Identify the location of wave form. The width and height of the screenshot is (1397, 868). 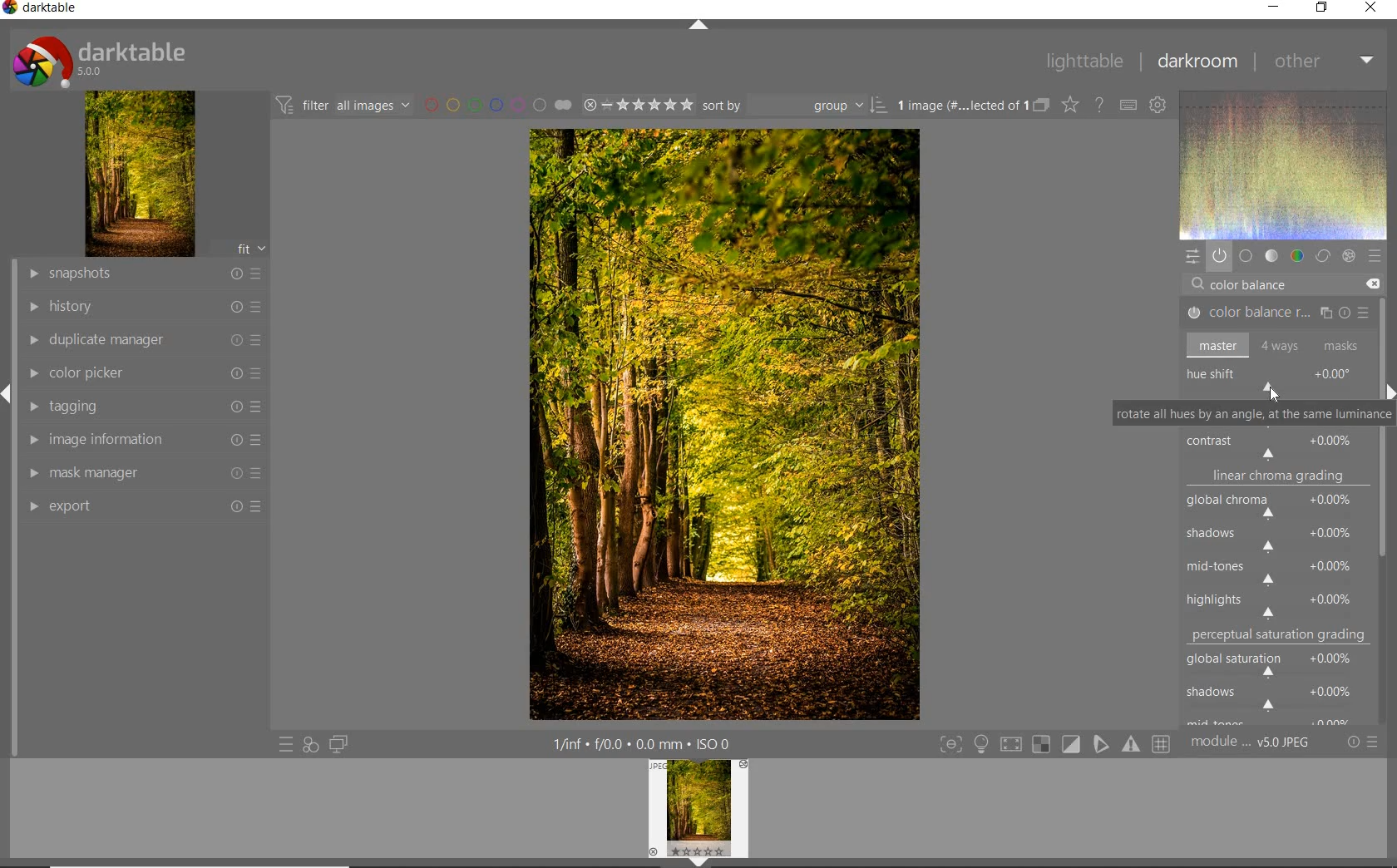
(1282, 165).